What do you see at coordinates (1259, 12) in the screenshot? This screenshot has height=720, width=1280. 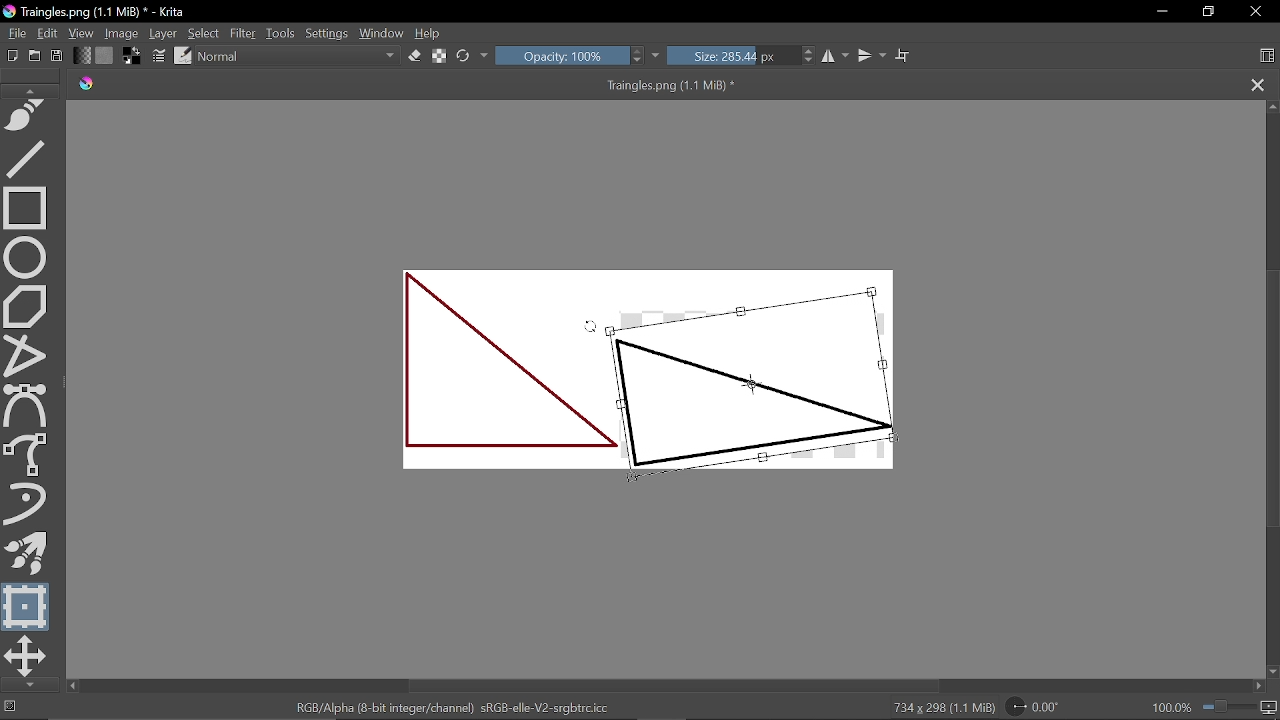 I see `Close` at bounding box center [1259, 12].